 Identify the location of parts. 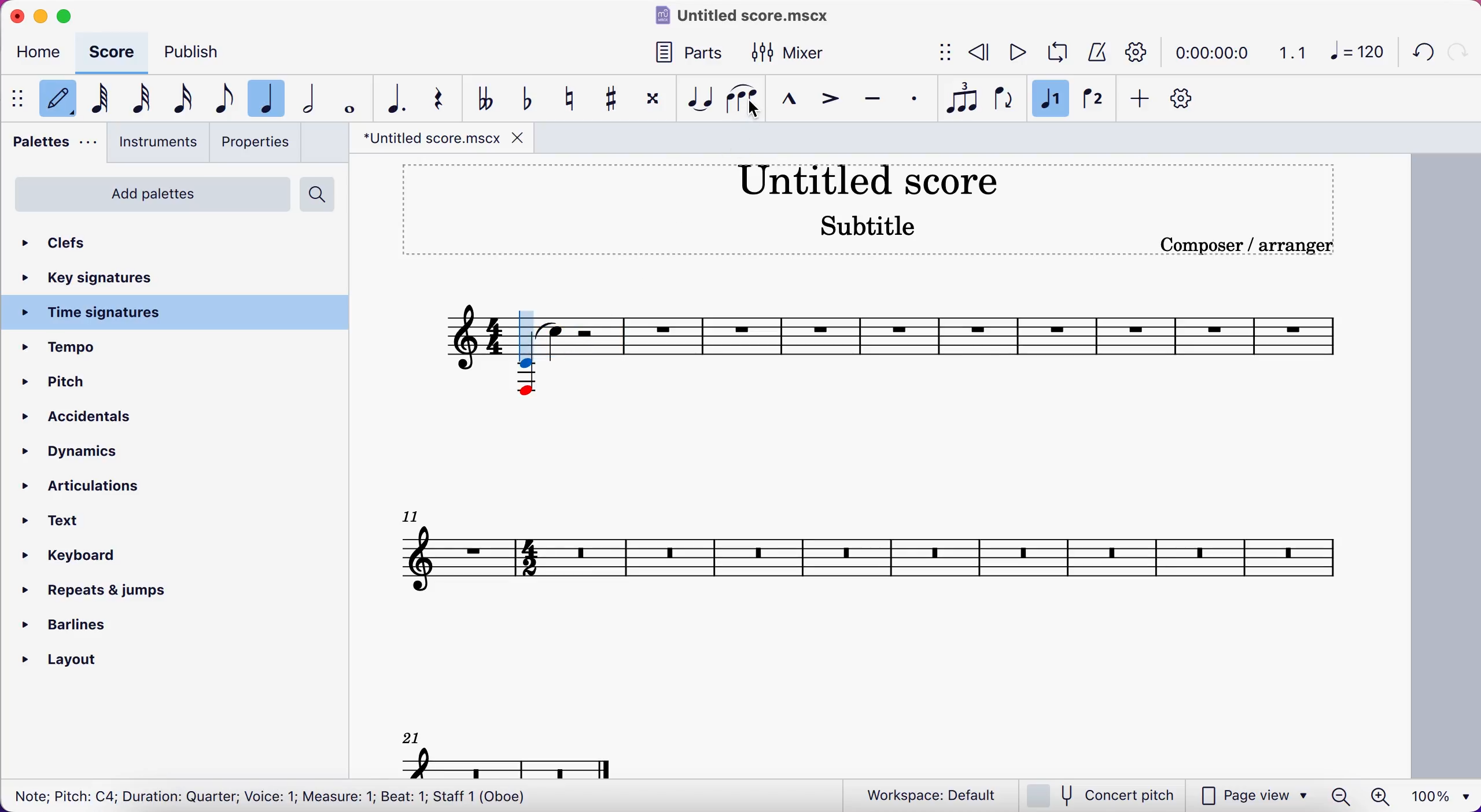
(697, 55).